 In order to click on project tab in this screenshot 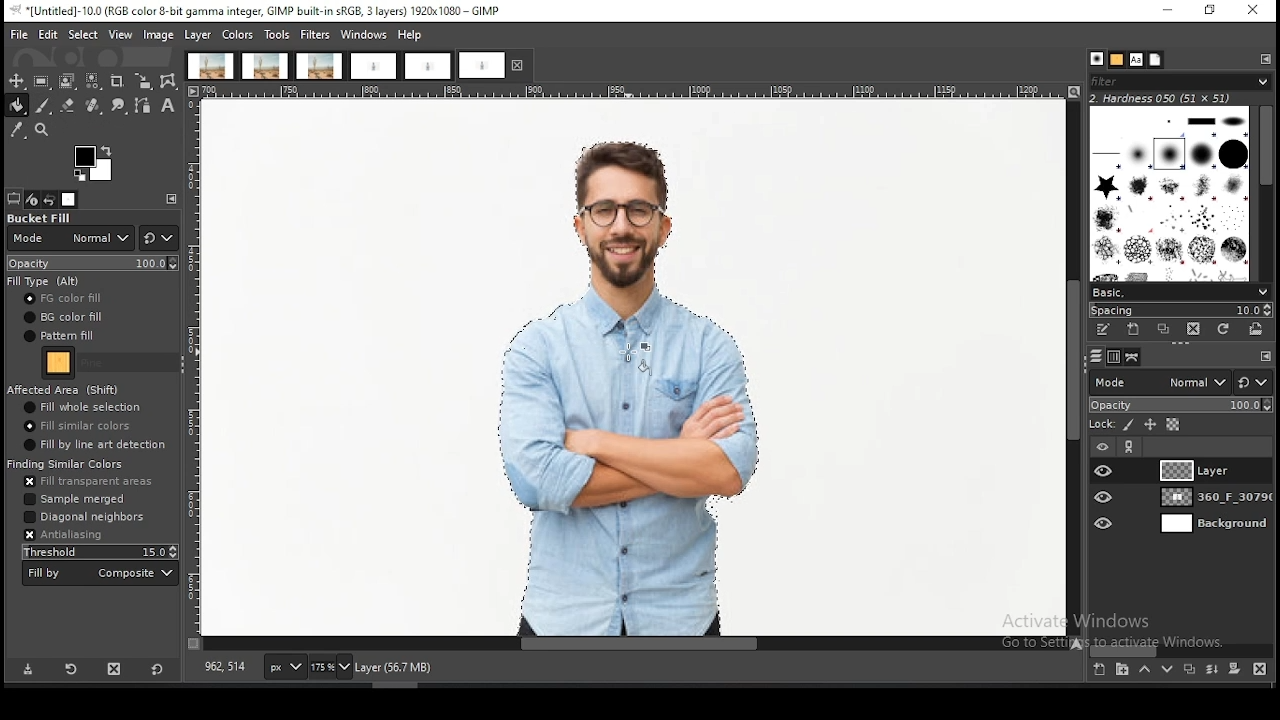, I will do `click(266, 66)`.